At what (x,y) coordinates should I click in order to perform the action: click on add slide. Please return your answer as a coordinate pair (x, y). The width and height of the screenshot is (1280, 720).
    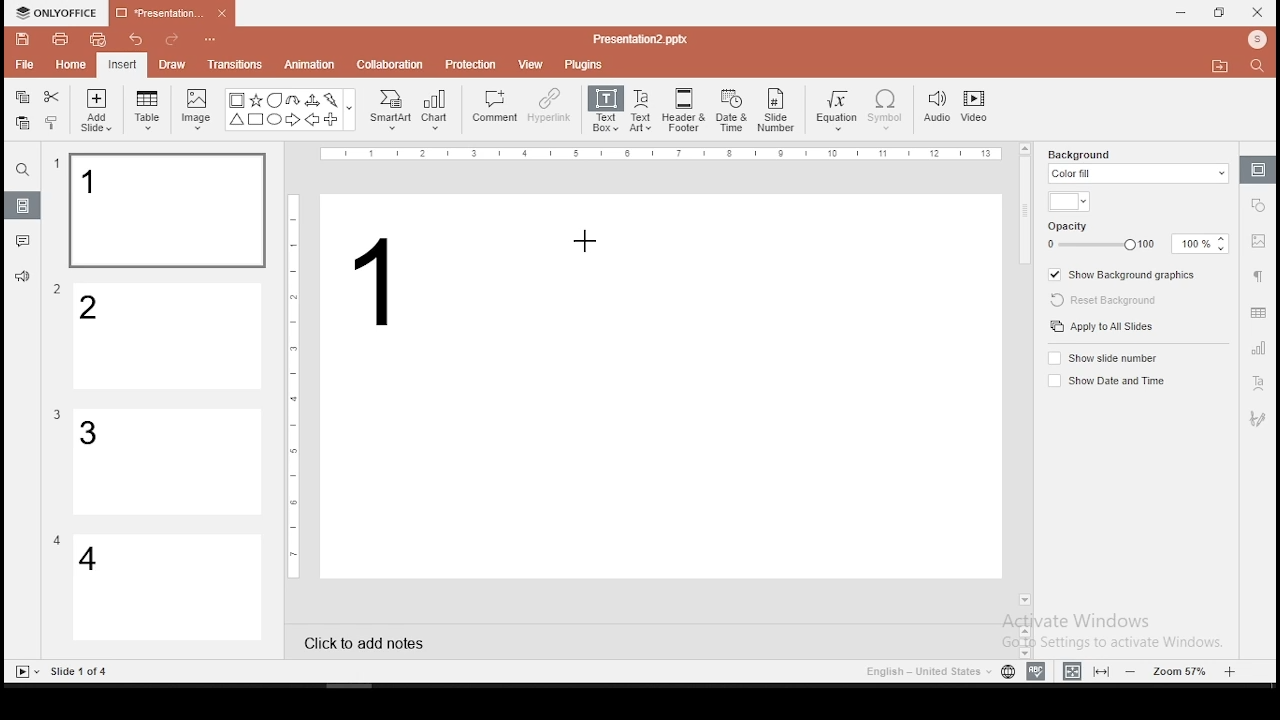
    Looking at the image, I should click on (96, 110).